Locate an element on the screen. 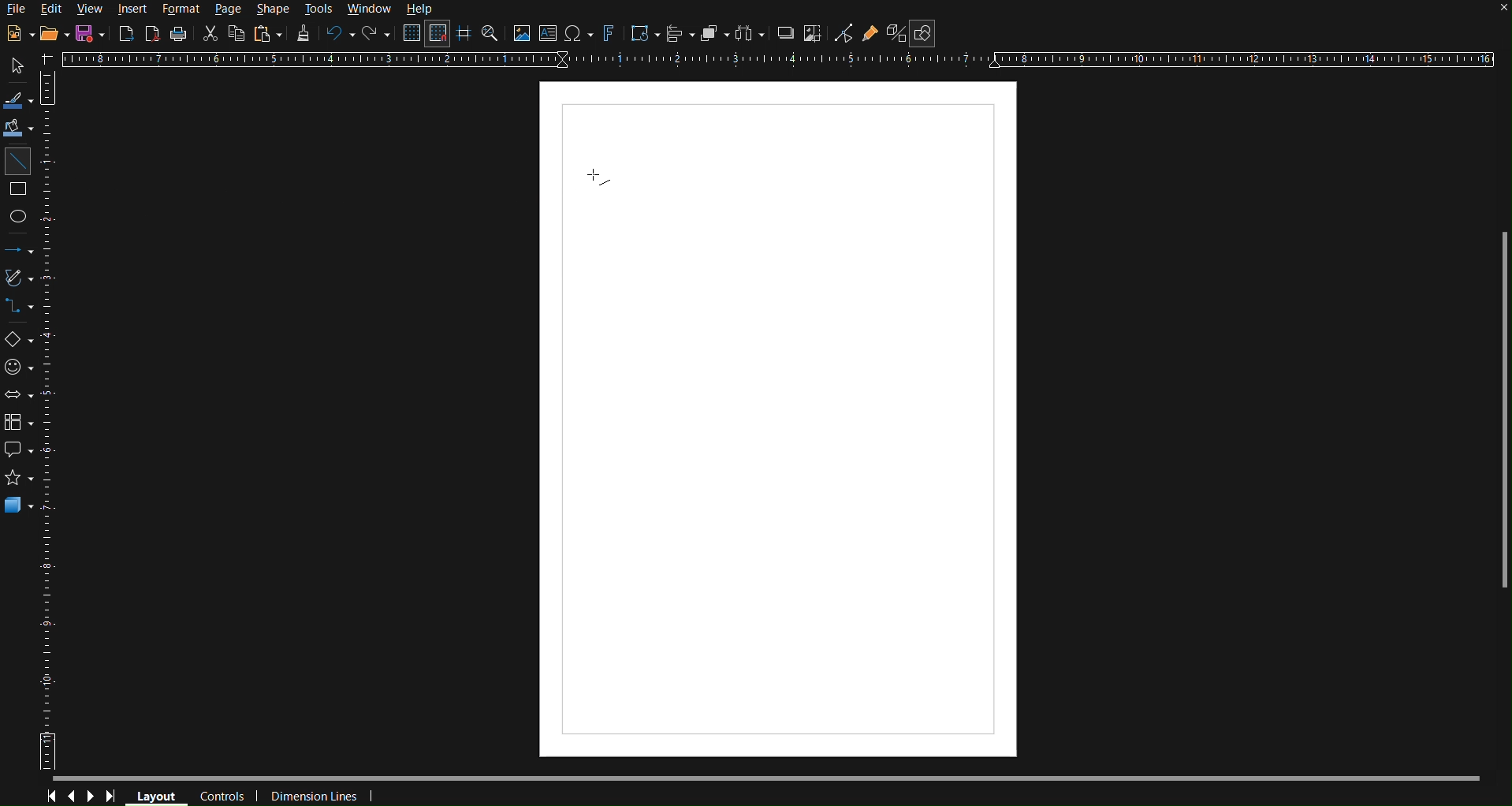 This screenshot has height=806, width=1512. Export PDF is located at coordinates (154, 34).